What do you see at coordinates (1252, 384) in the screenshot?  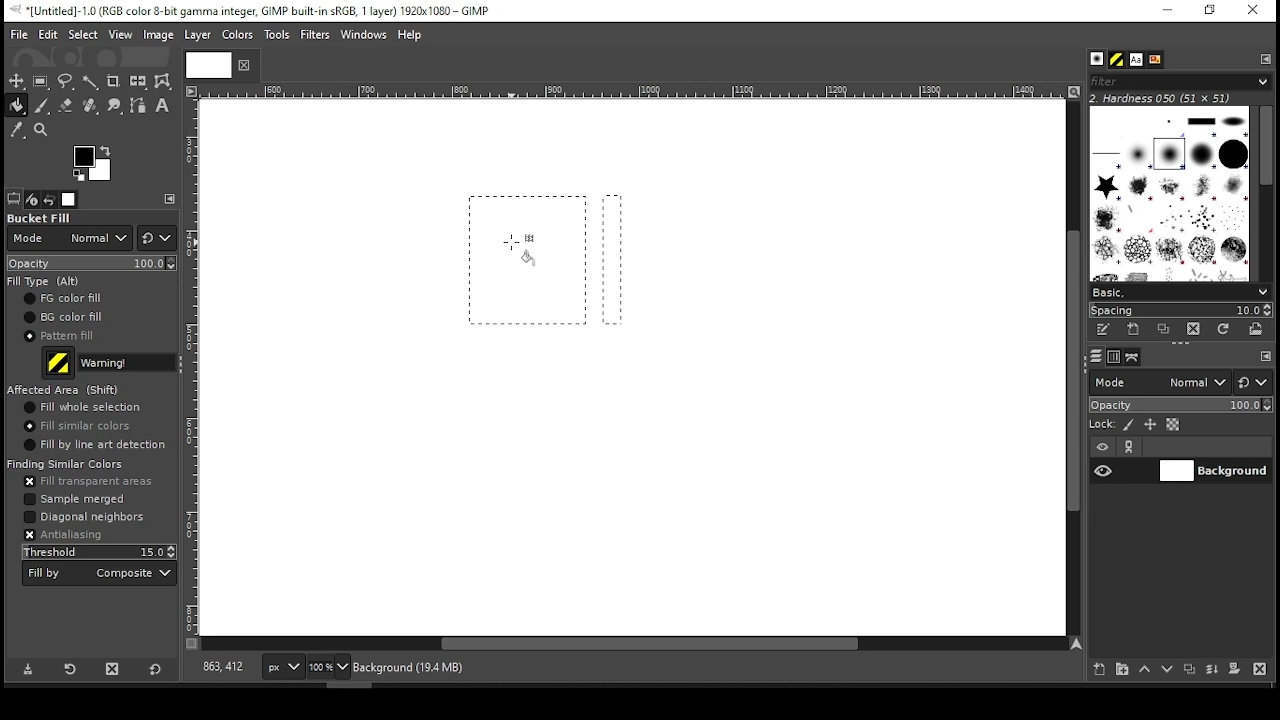 I see `switch to other mode groups` at bounding box center [1252, 384].